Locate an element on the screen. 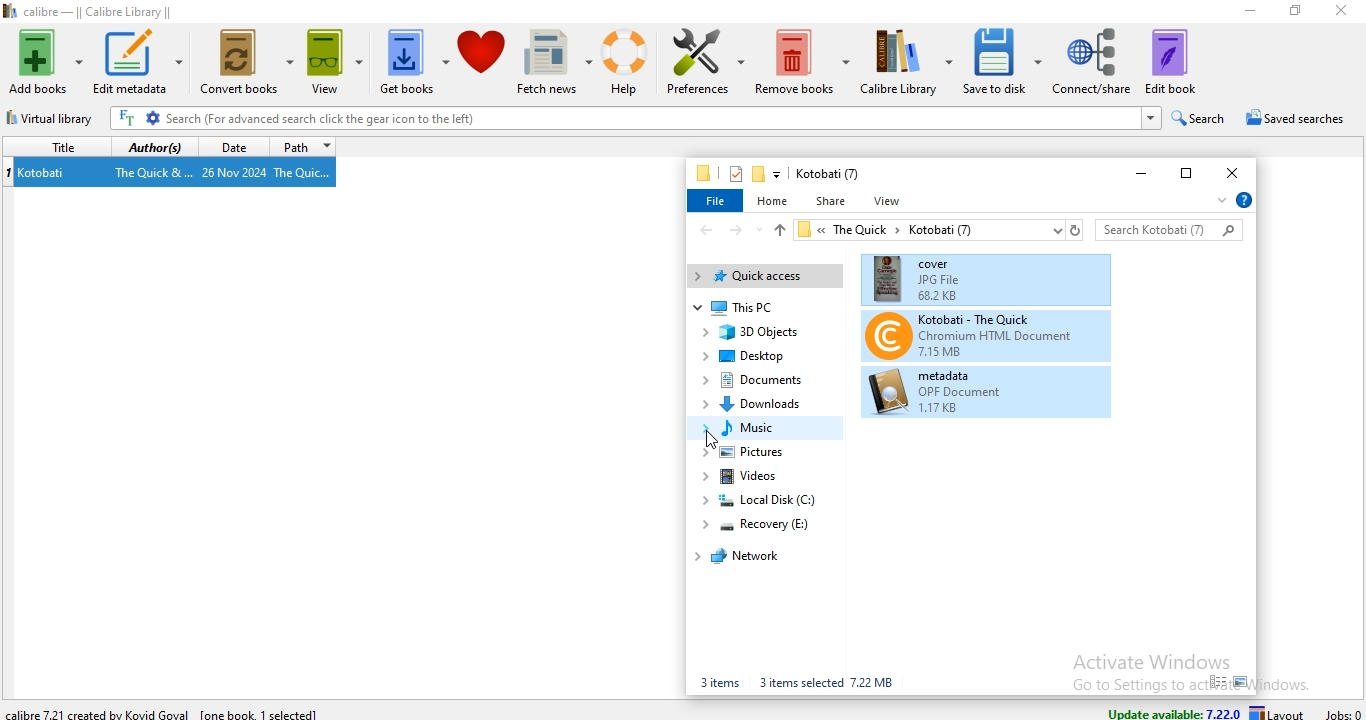 The image size is (1366, 720). documents is located at coordinates (759, 381).